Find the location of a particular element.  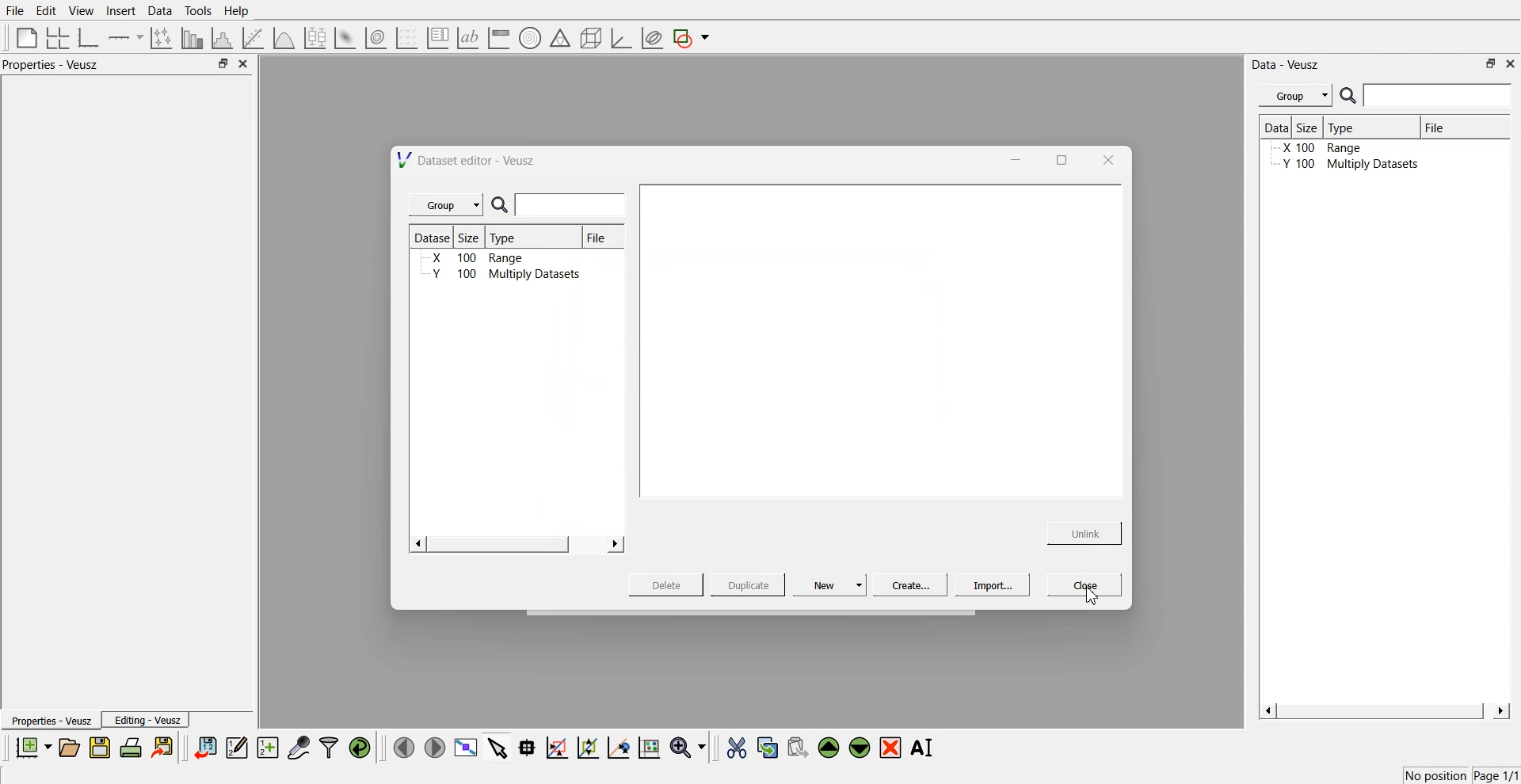

remove the selected widgets is located at coordinates (892, 748).